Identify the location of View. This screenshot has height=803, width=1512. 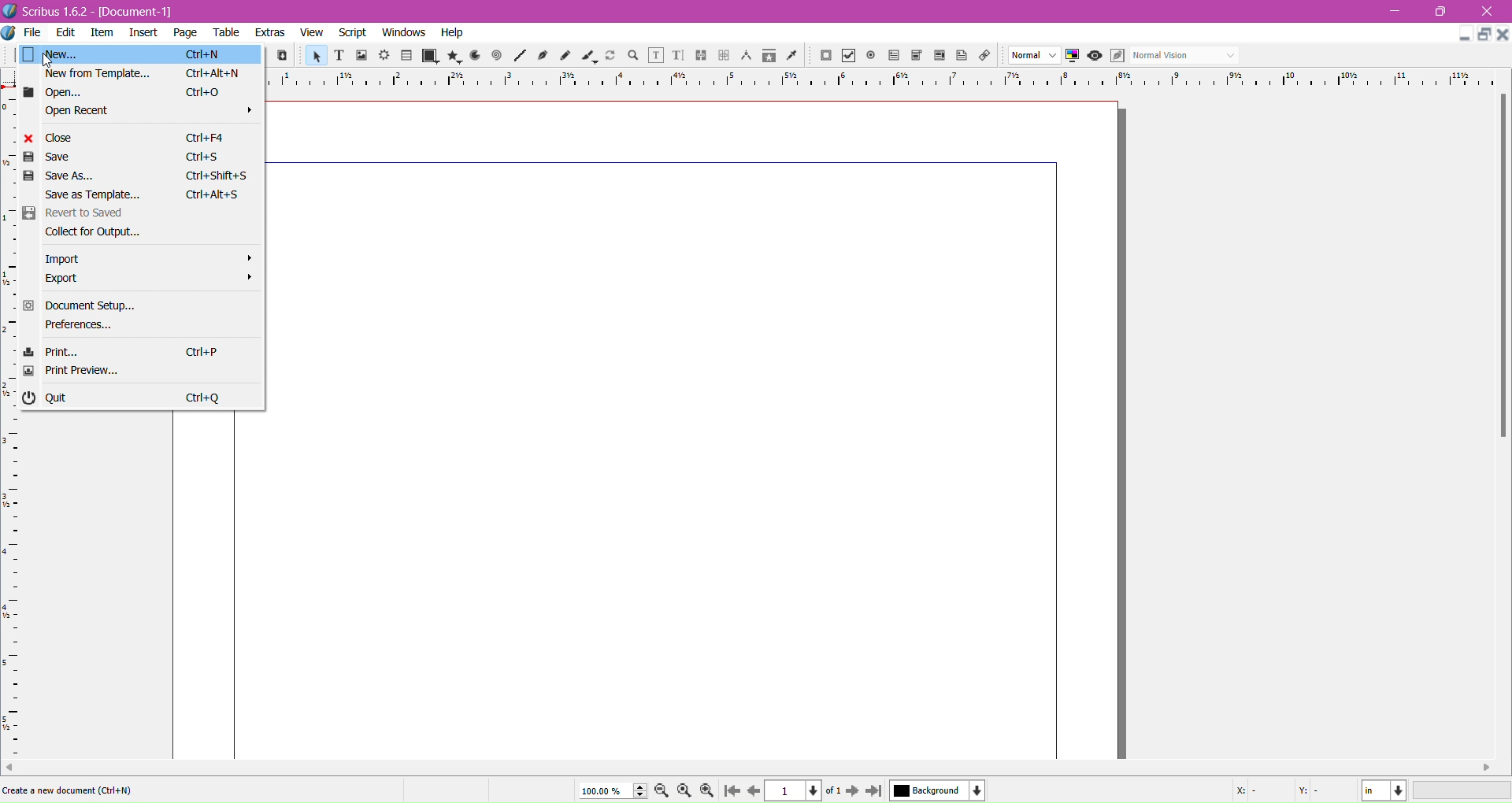
(313, 34).